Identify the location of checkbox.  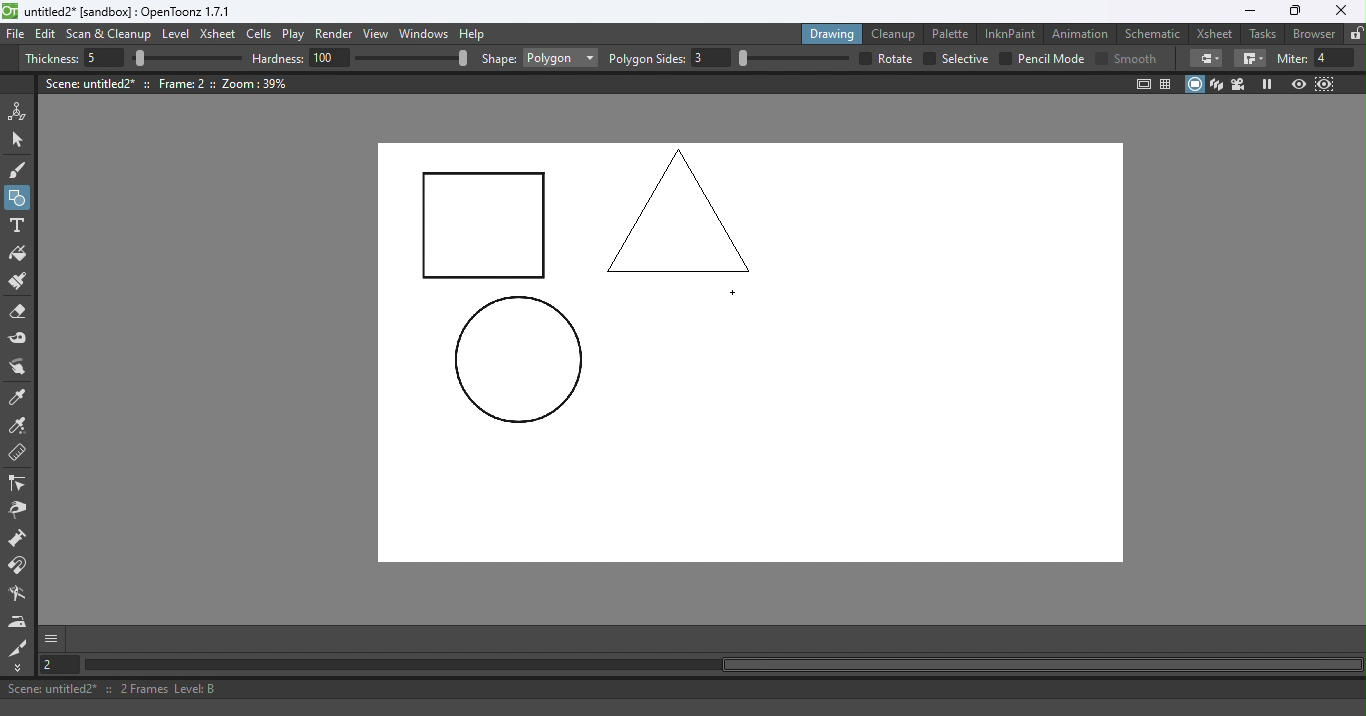
(863, 58).